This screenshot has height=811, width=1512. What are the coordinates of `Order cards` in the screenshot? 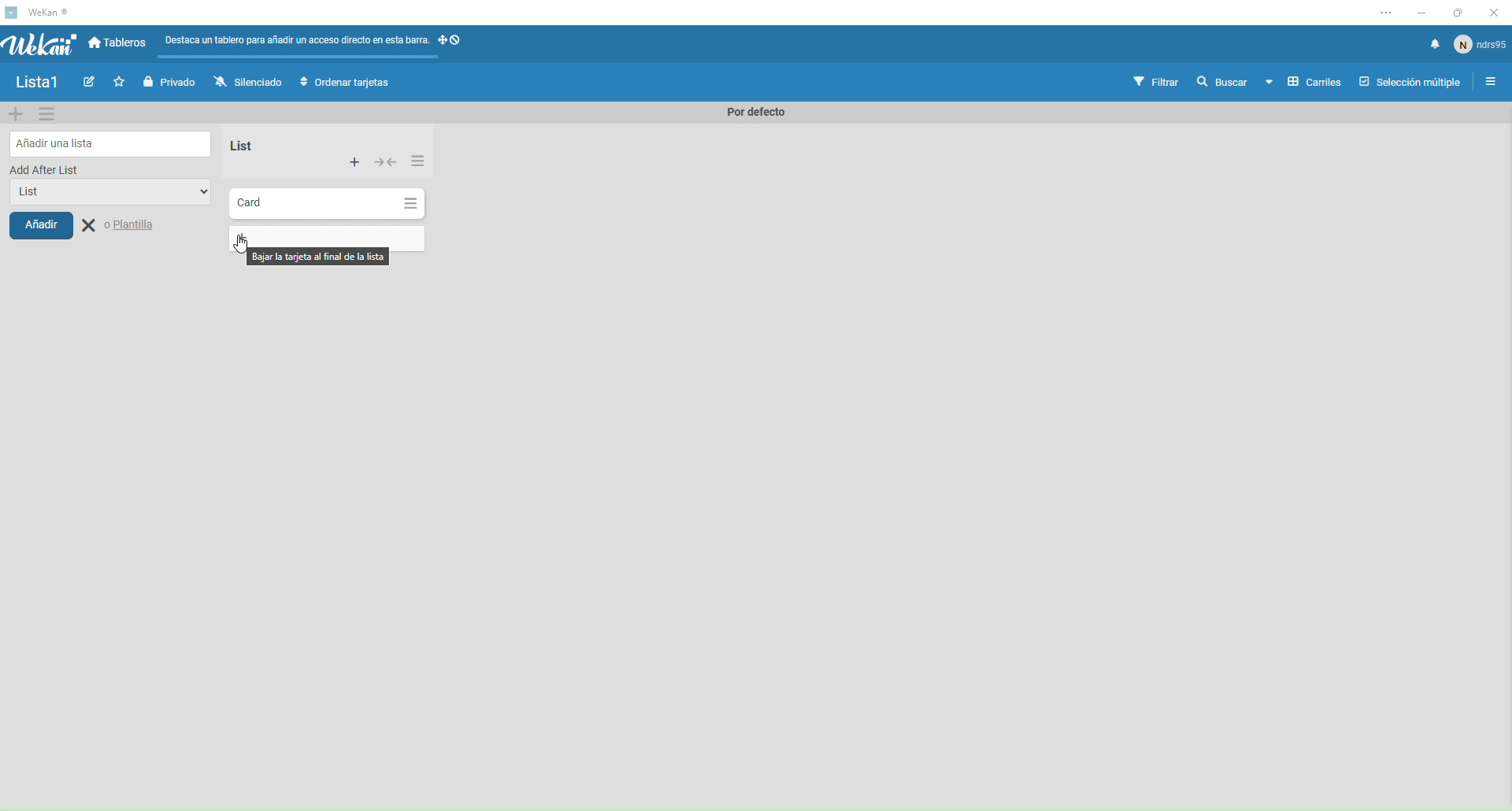 It's located at (345, 83).